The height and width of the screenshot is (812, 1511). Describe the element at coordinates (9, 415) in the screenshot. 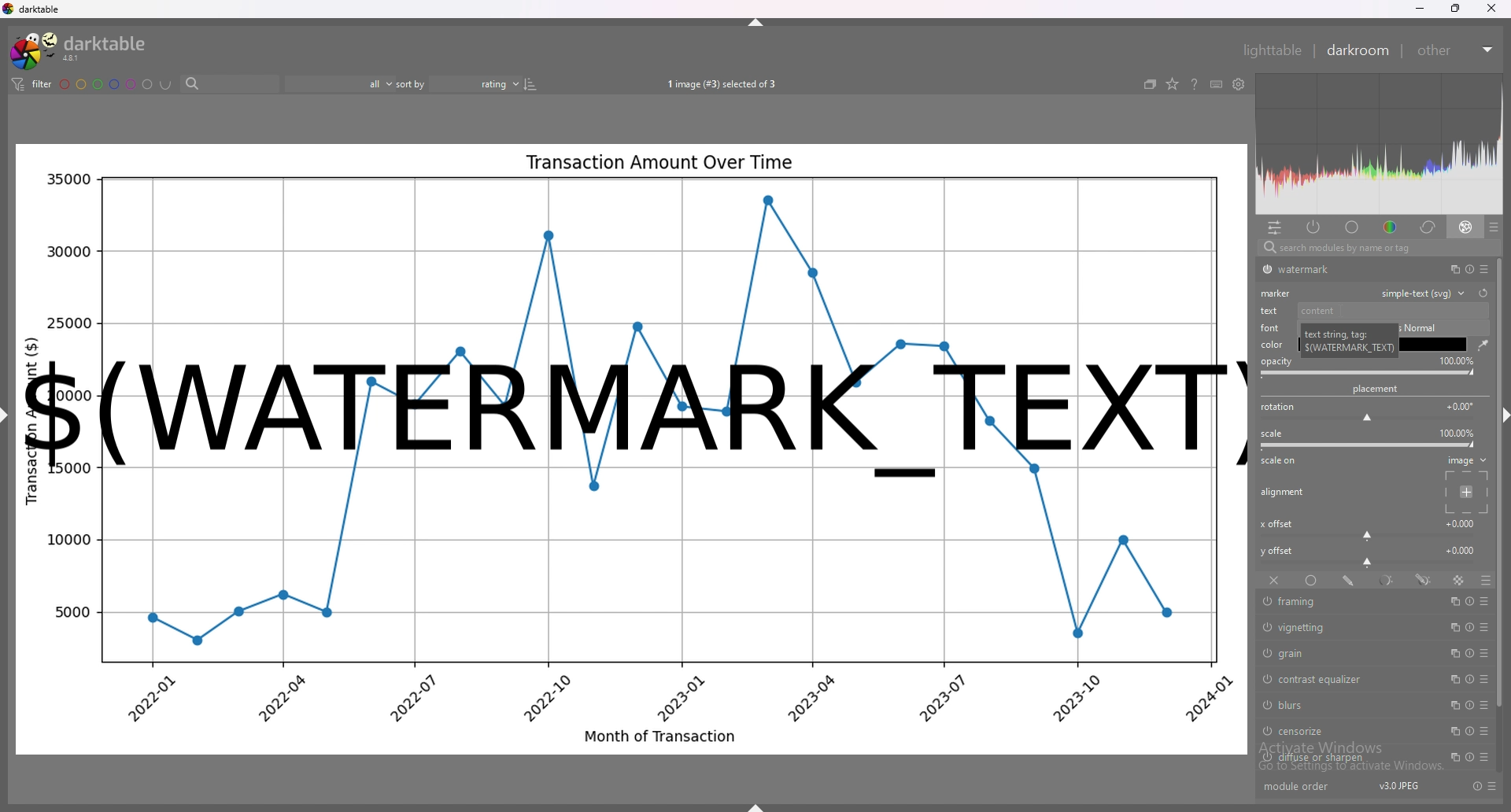

I see `hide` at that location.